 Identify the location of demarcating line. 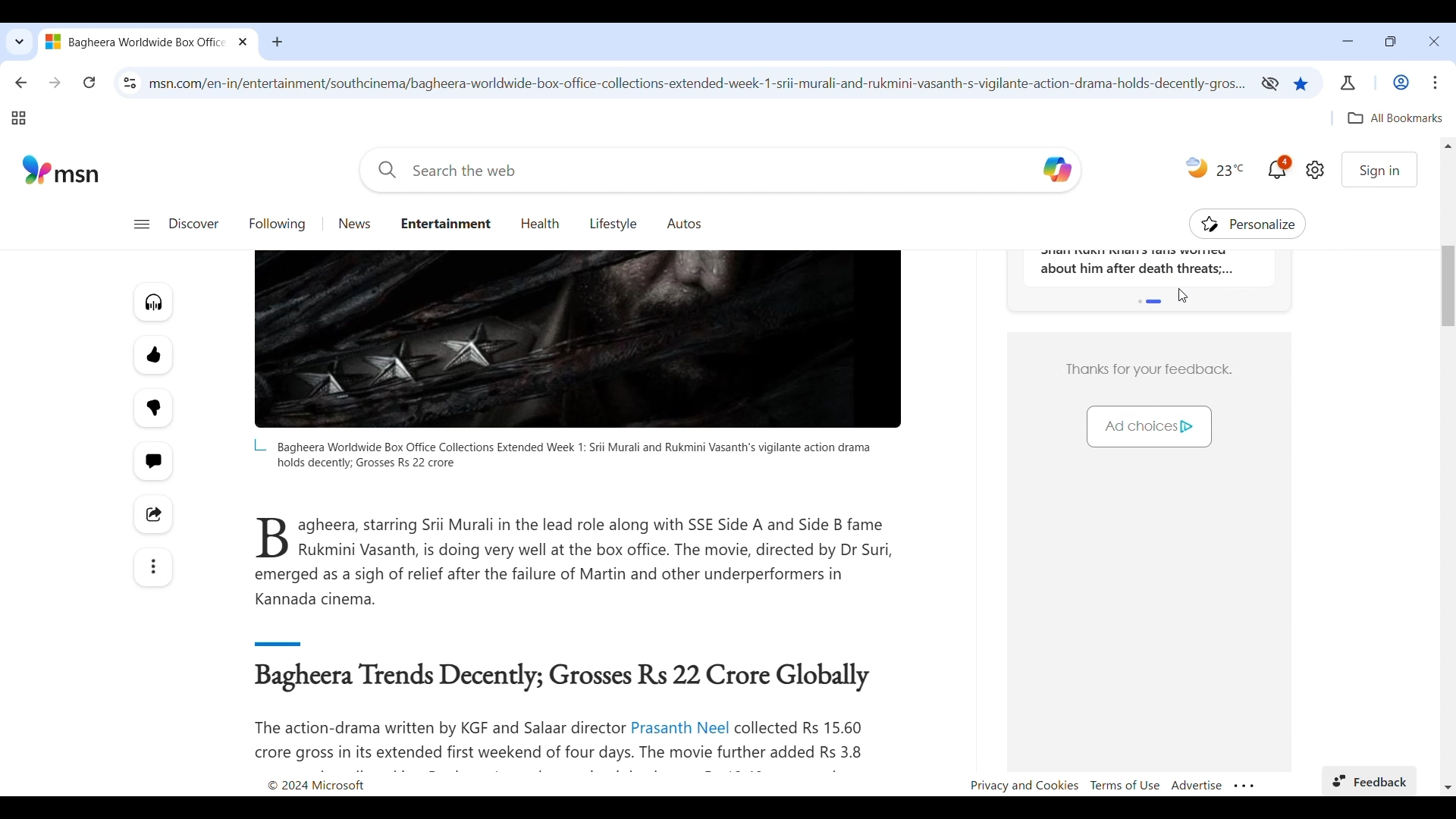
(308, 641).